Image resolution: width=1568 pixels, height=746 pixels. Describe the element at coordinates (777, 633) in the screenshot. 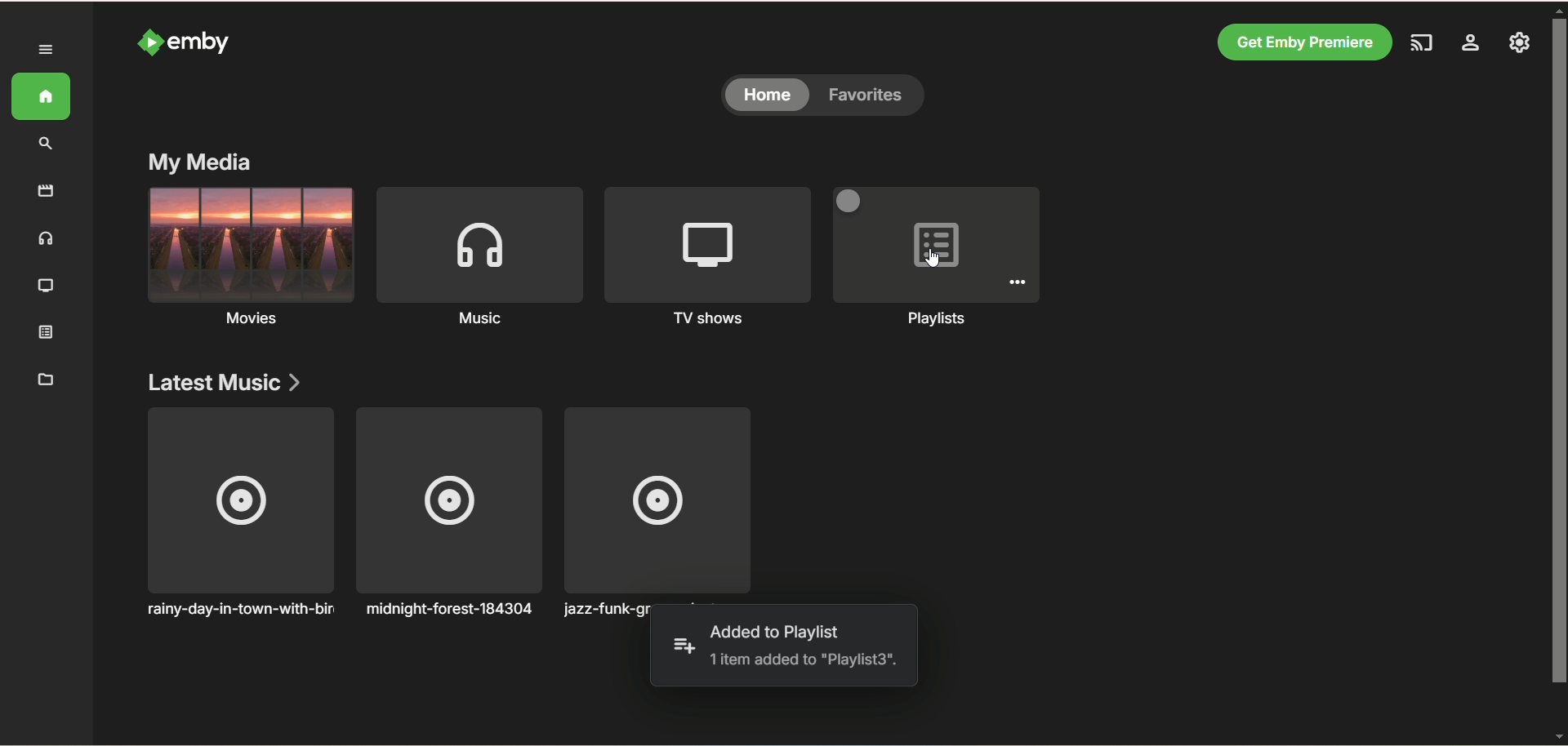

I see `added to playlist` at that location.